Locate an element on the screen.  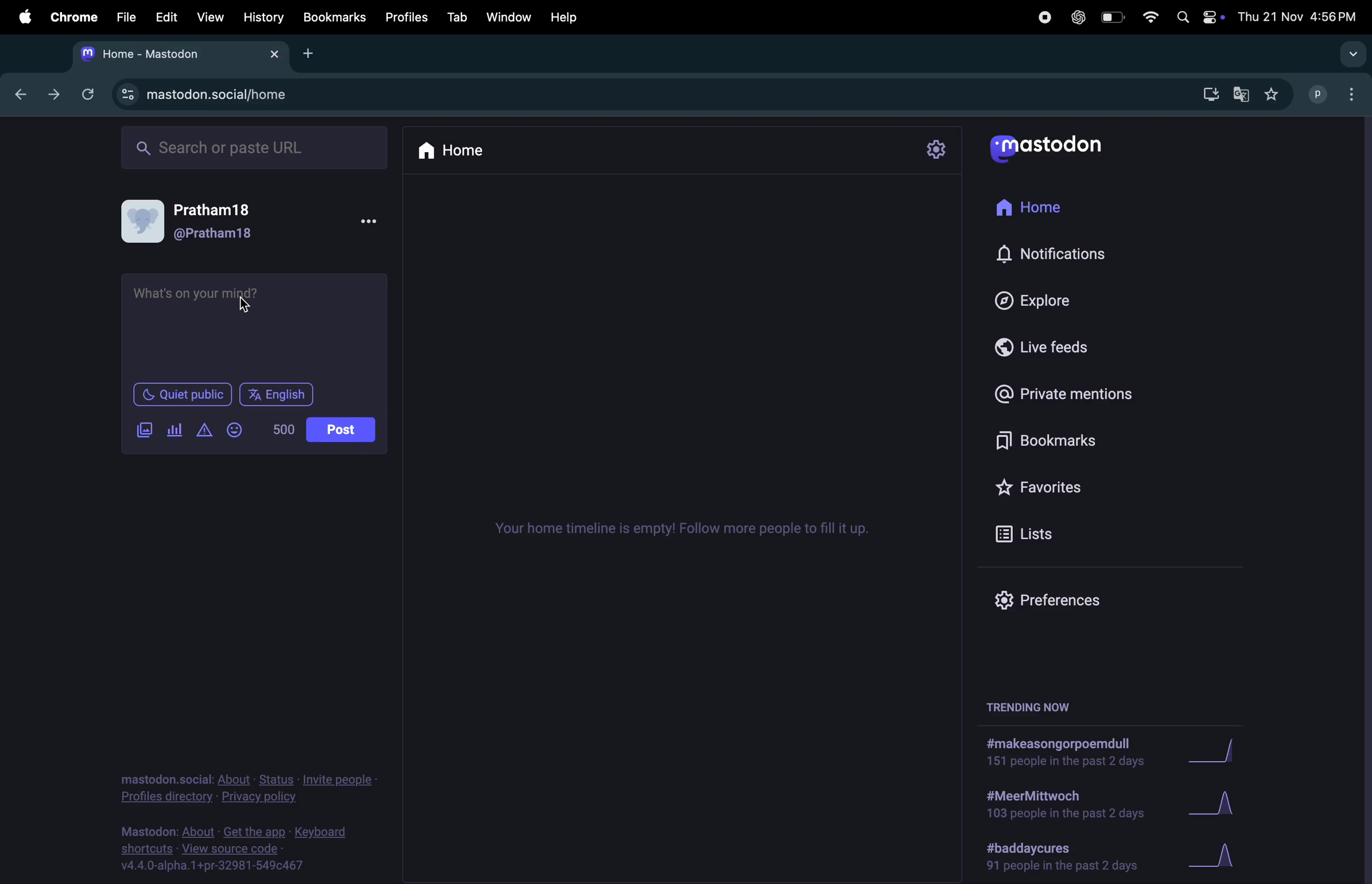
searchbar is located at coordinates (256, 148).